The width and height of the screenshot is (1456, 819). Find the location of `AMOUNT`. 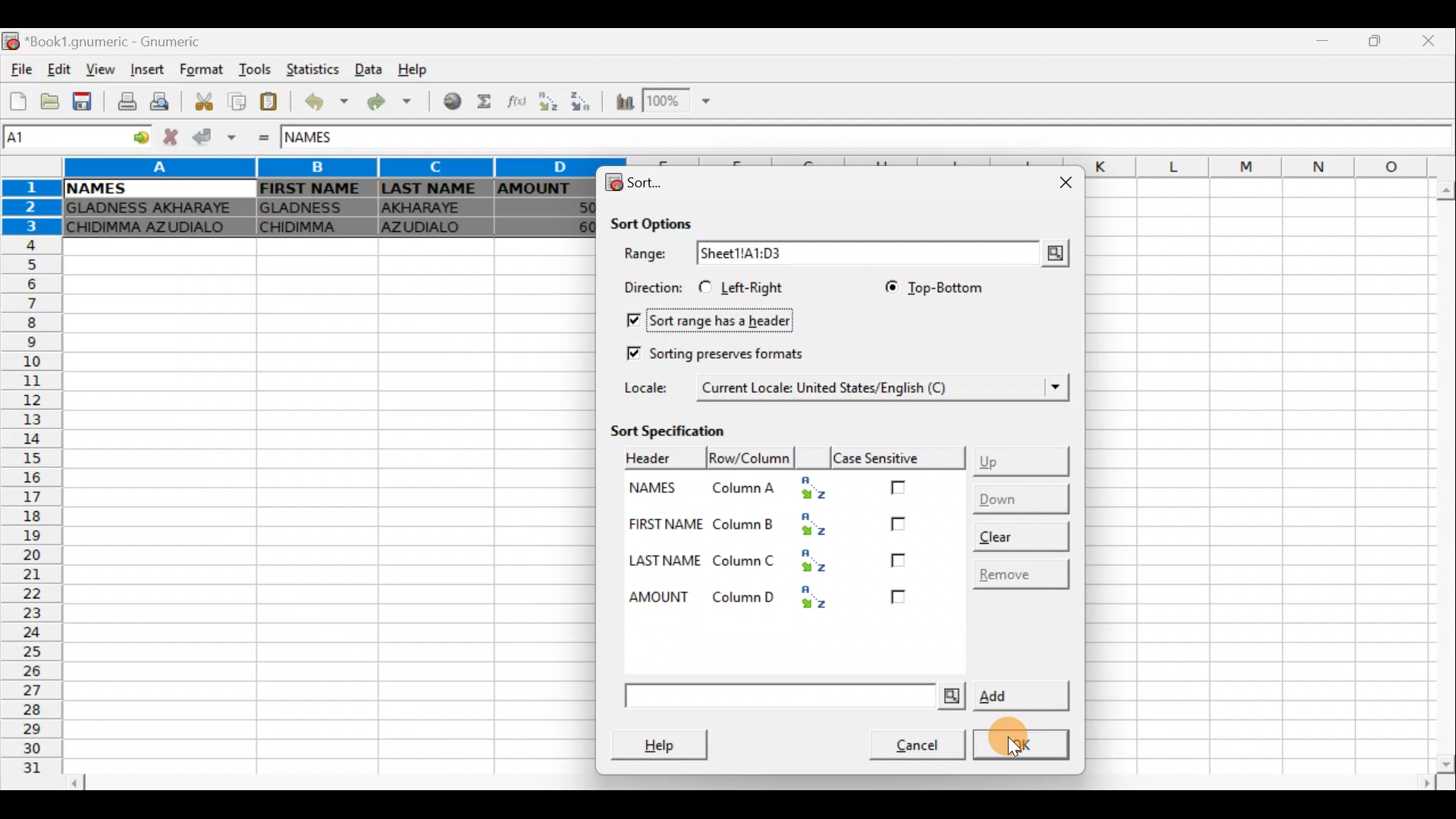

AMOUNT is located at coordinates (656, 596).